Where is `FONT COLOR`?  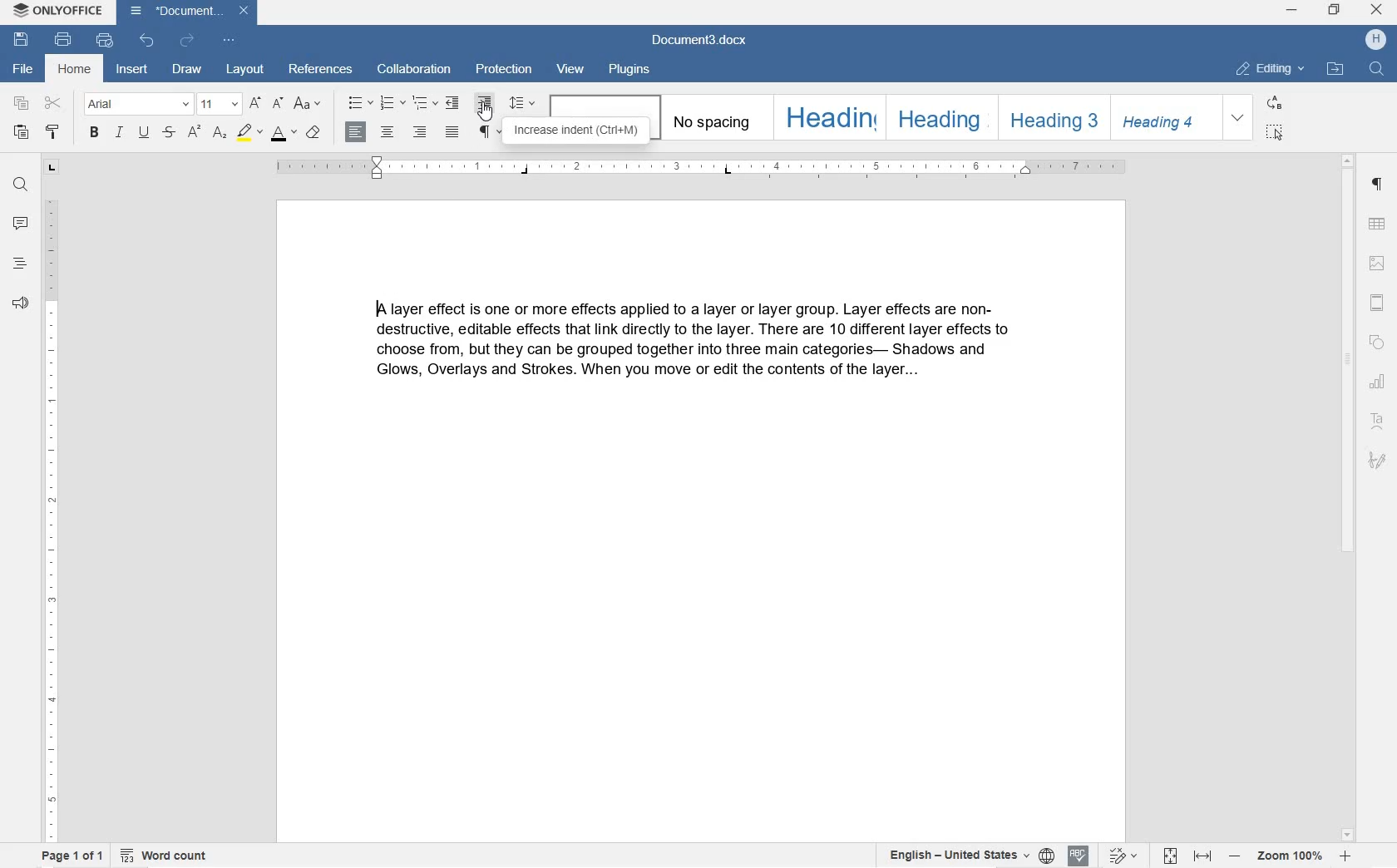
FONT COLOR is located at coordinates (281, 133).